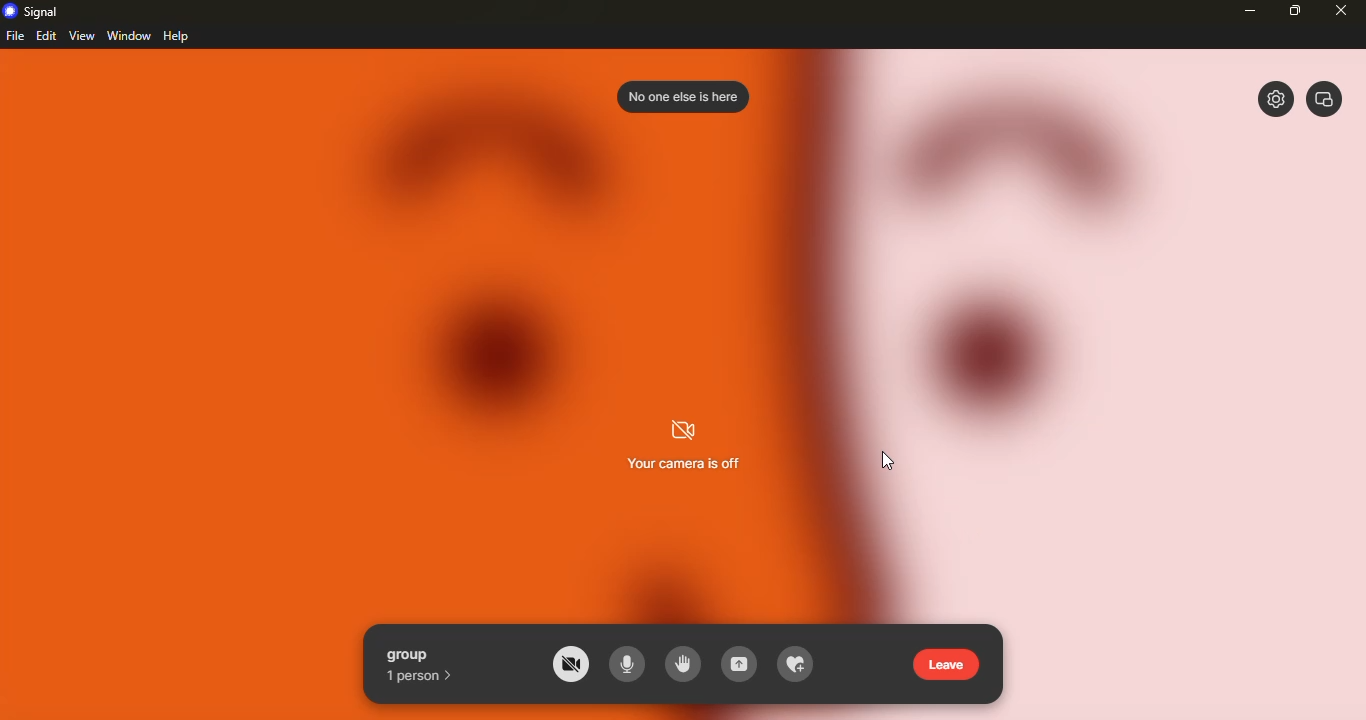 The height and width of the screenshot is (720, 1366). What do you see at coordinates (1328, 99) in the screenshot?
I see `window` at bounding box center [1328, 99].